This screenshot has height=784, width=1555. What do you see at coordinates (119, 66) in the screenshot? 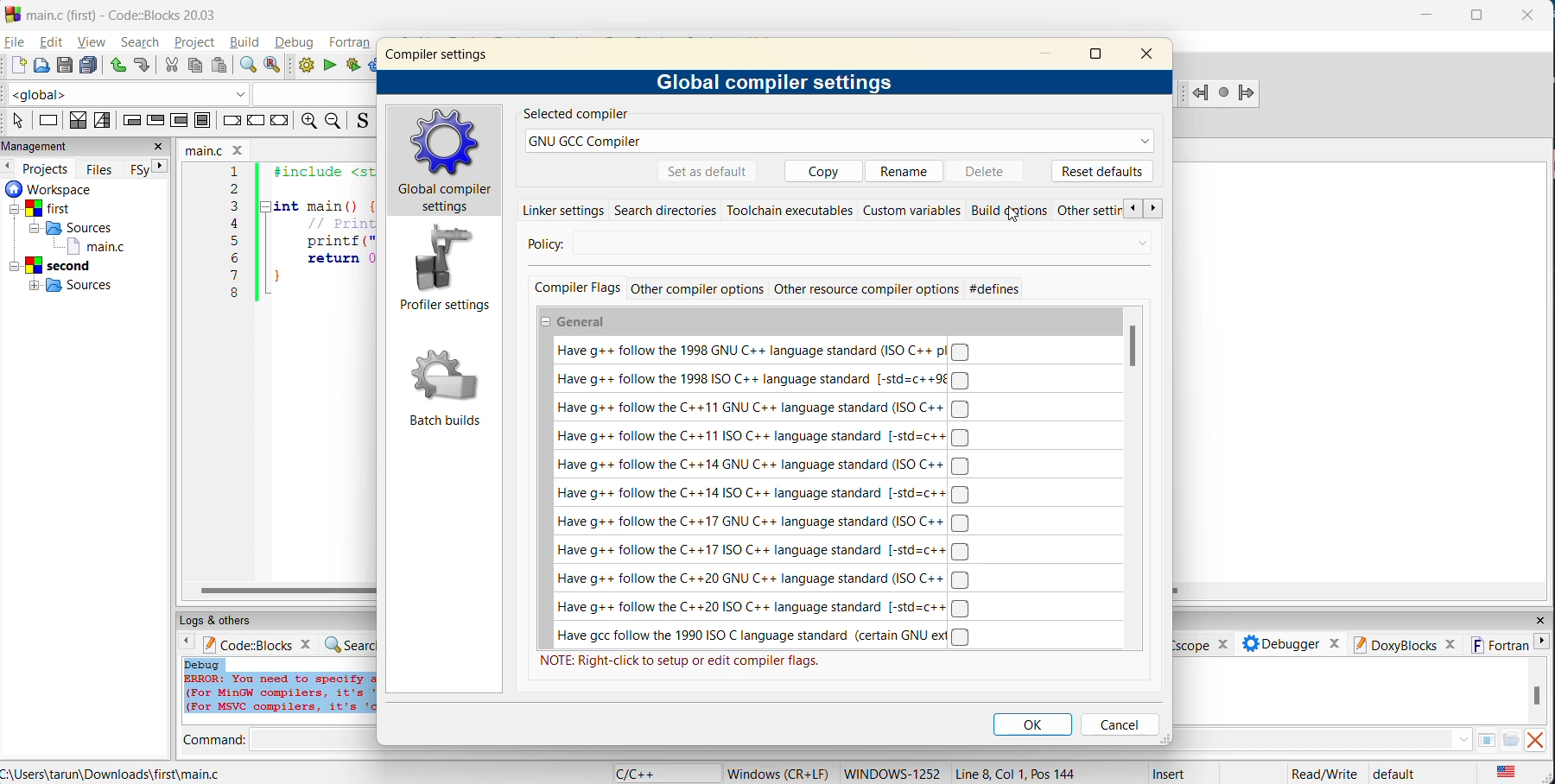
I see `undo` at bounding box center [119, 66].